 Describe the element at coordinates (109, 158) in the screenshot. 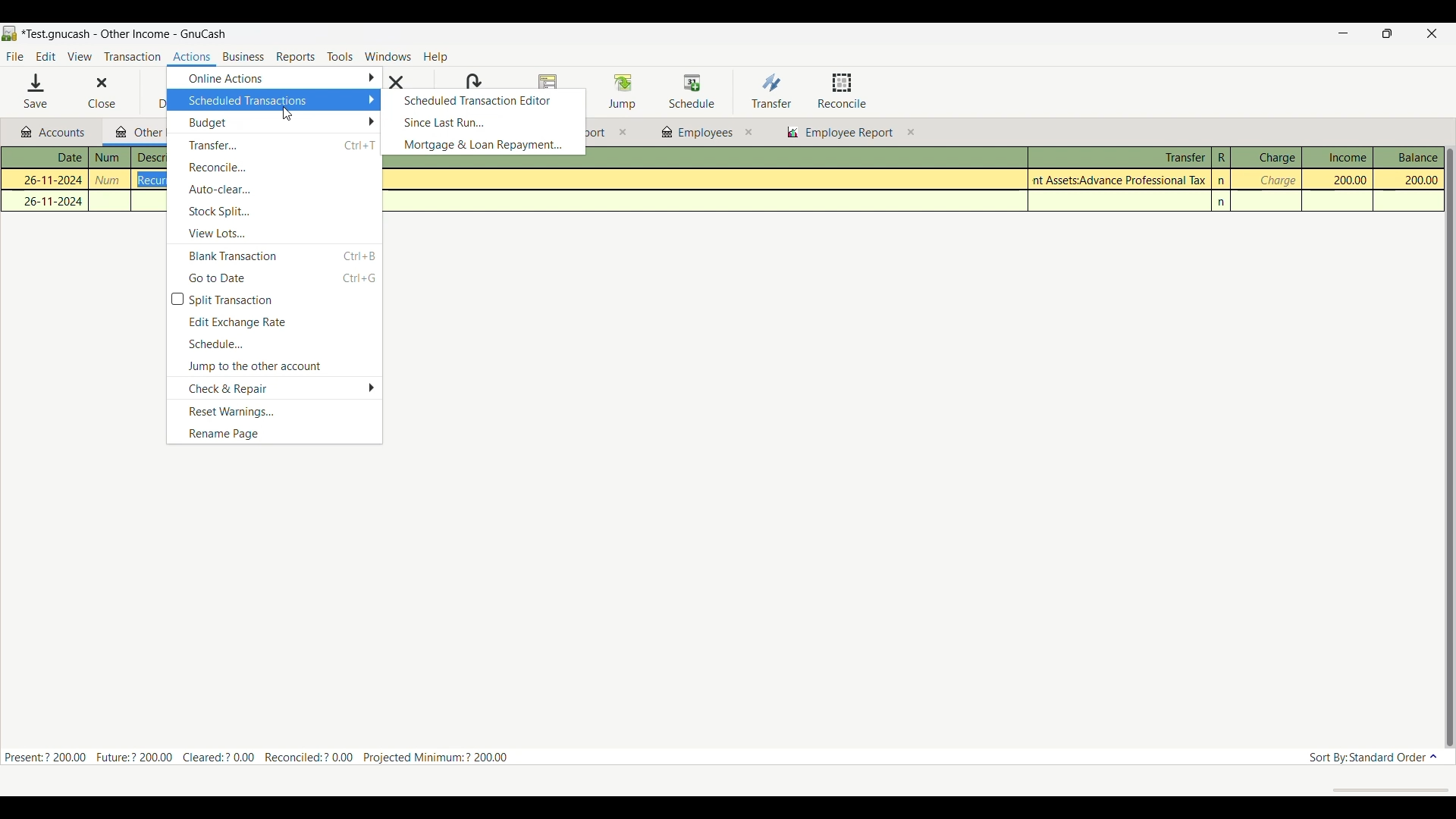

I see `num` at that location.